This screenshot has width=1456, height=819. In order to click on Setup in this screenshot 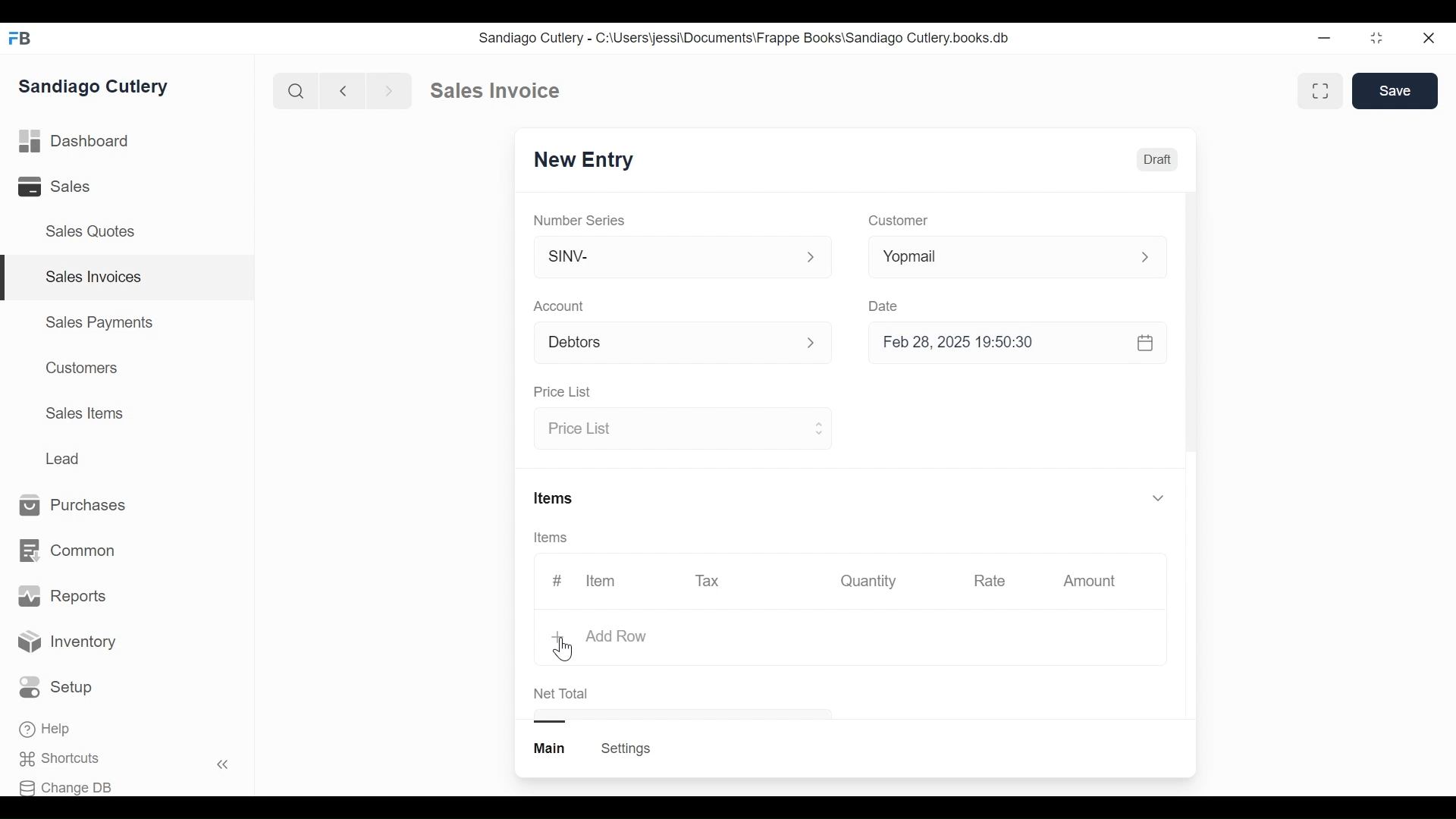, I will do `click(56, 687)`.